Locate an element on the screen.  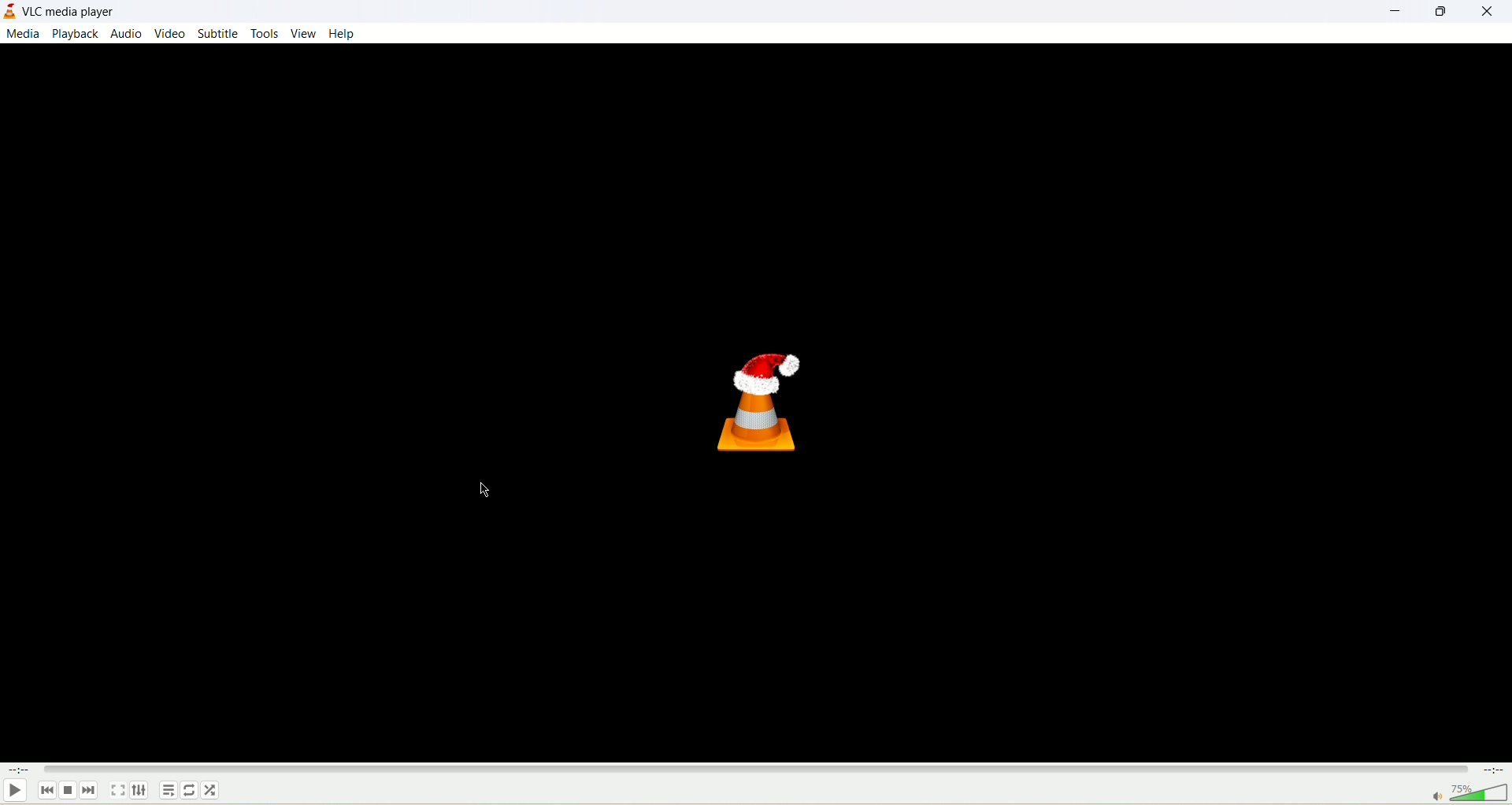
audio is located at coordinates (124, 33).